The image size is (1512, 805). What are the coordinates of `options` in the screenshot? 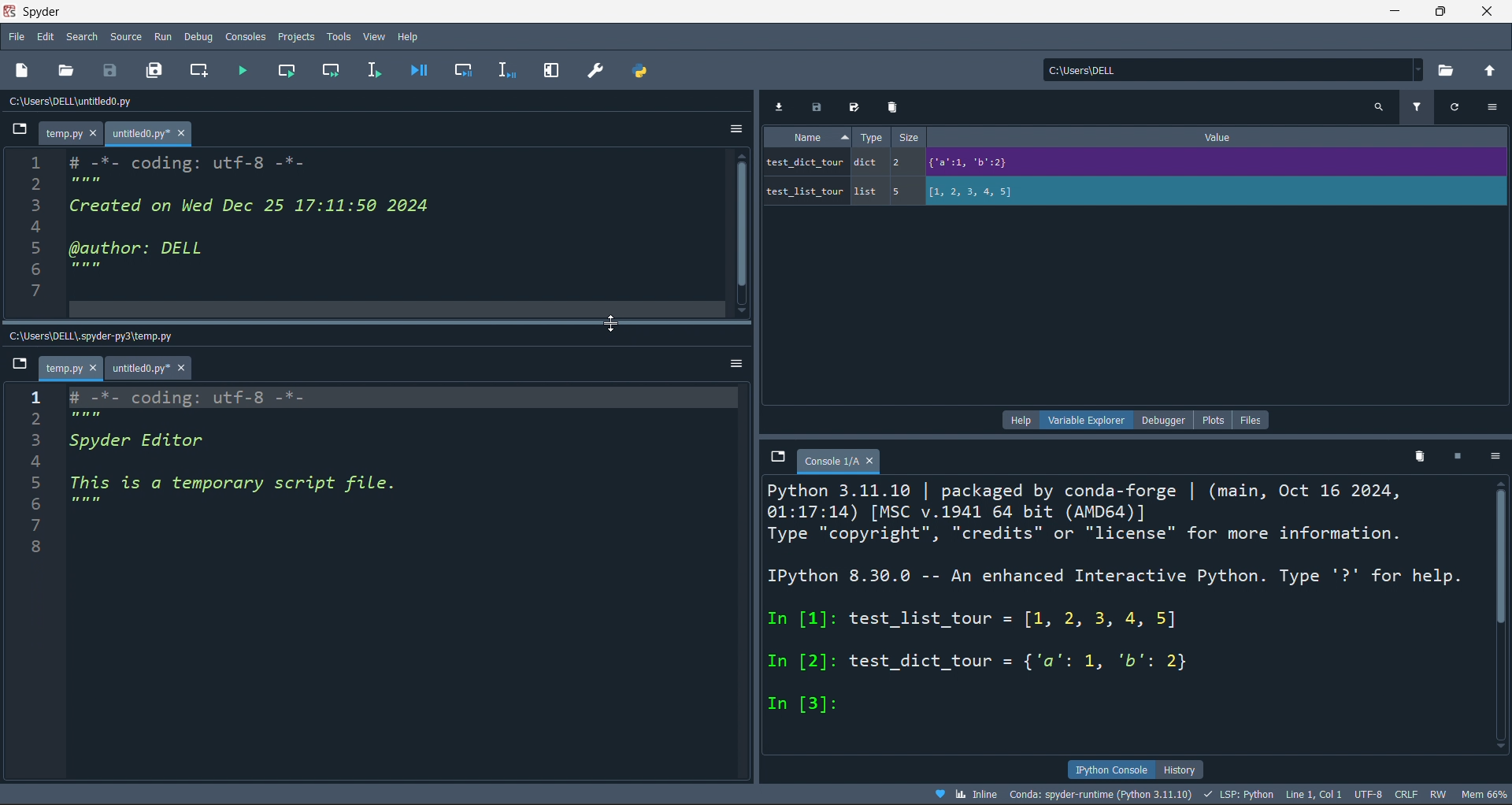 It's located at (732, 126).